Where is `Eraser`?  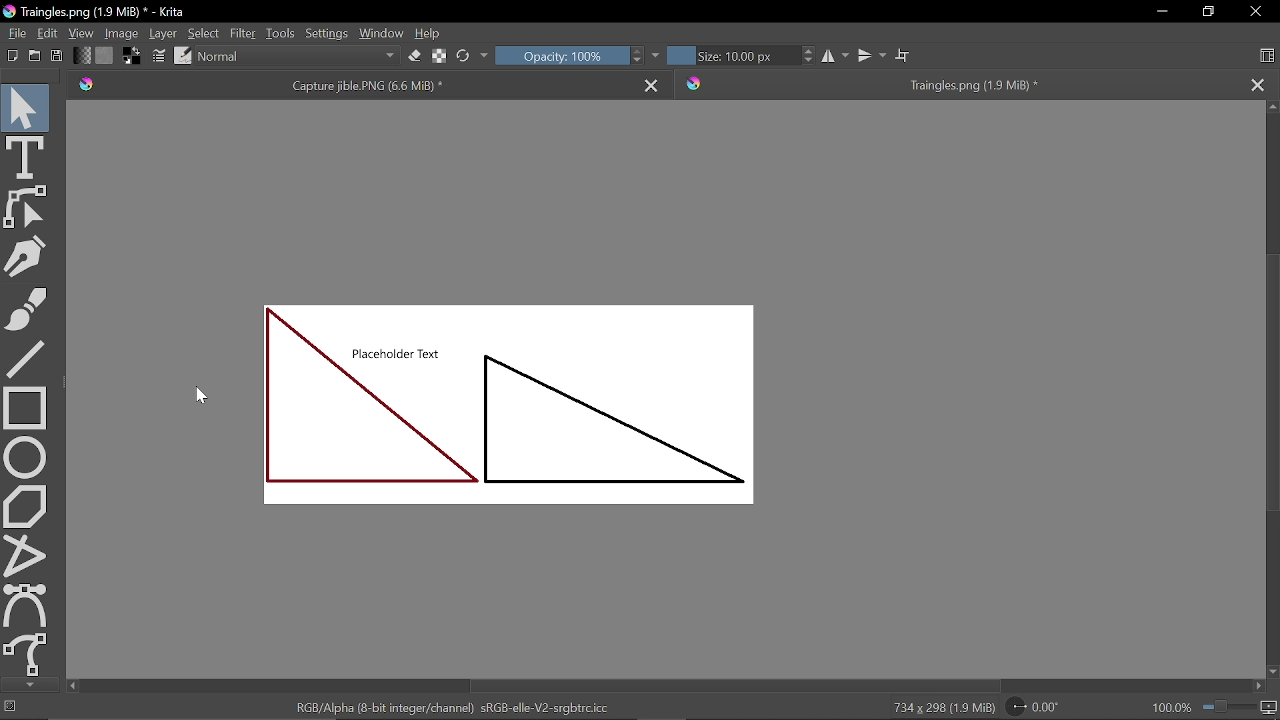 Eraser is located at coordinates (412, 57).